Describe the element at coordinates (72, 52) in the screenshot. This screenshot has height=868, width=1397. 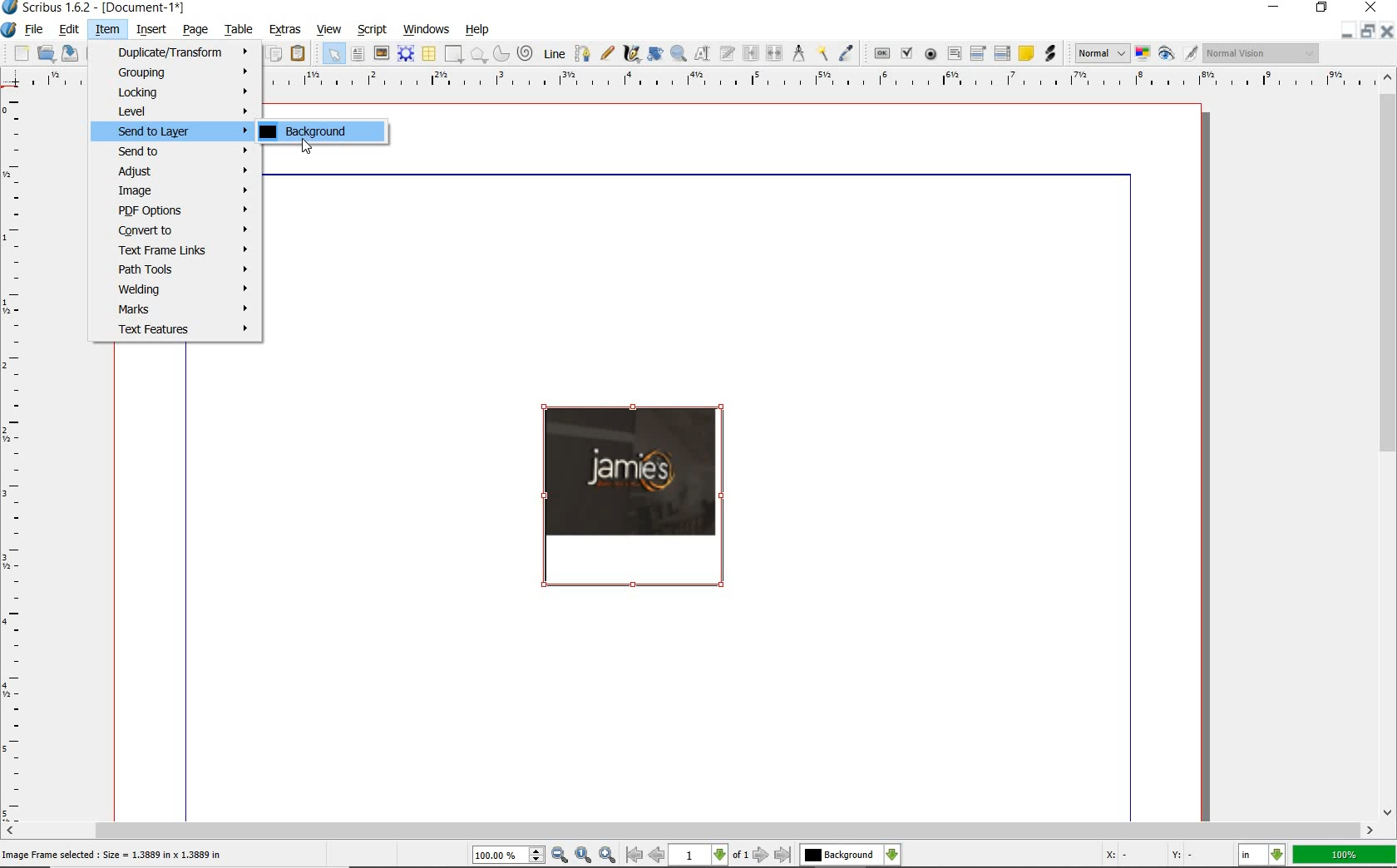
I see `save` at that location.